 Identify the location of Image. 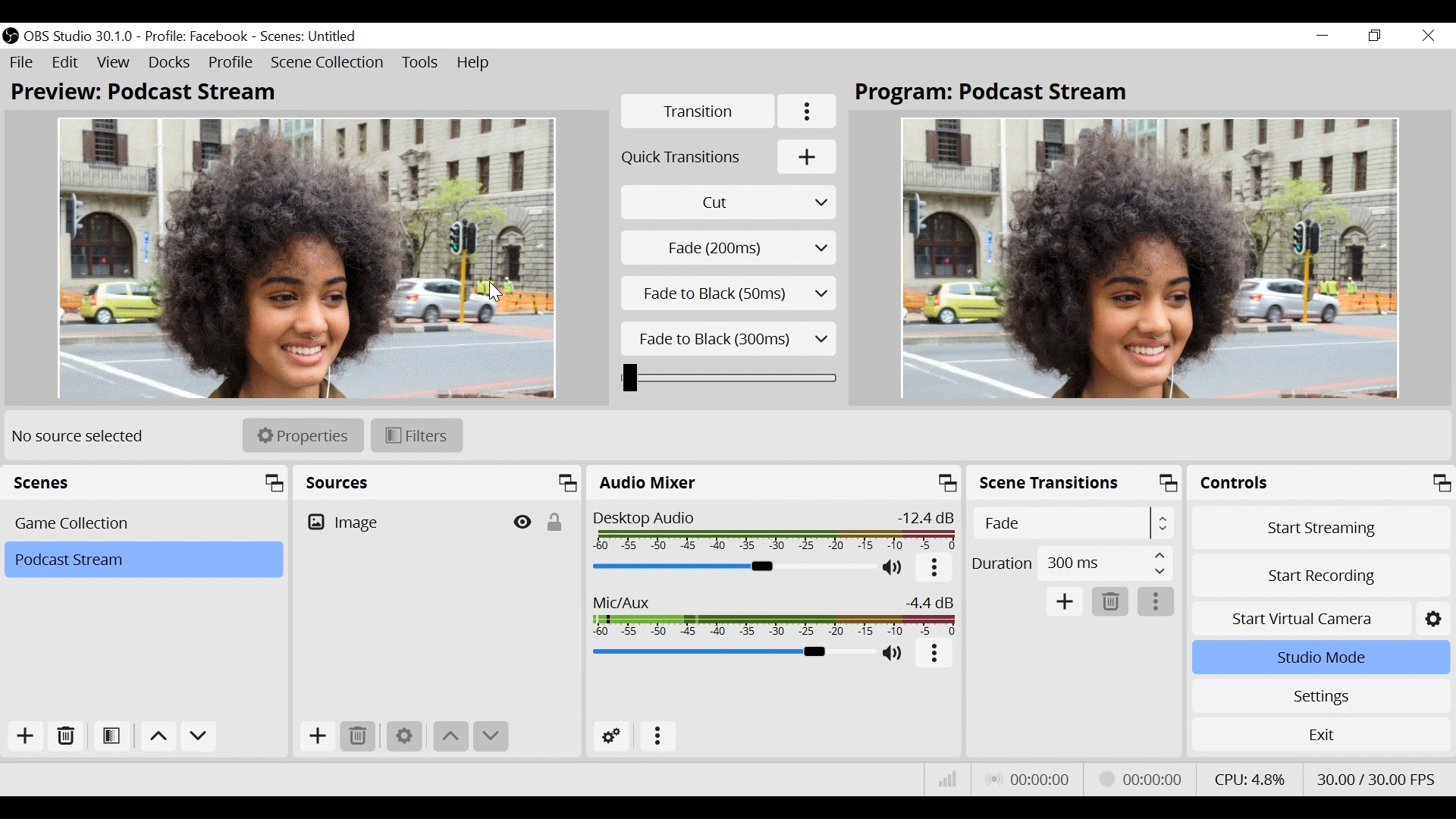
(402, 525).